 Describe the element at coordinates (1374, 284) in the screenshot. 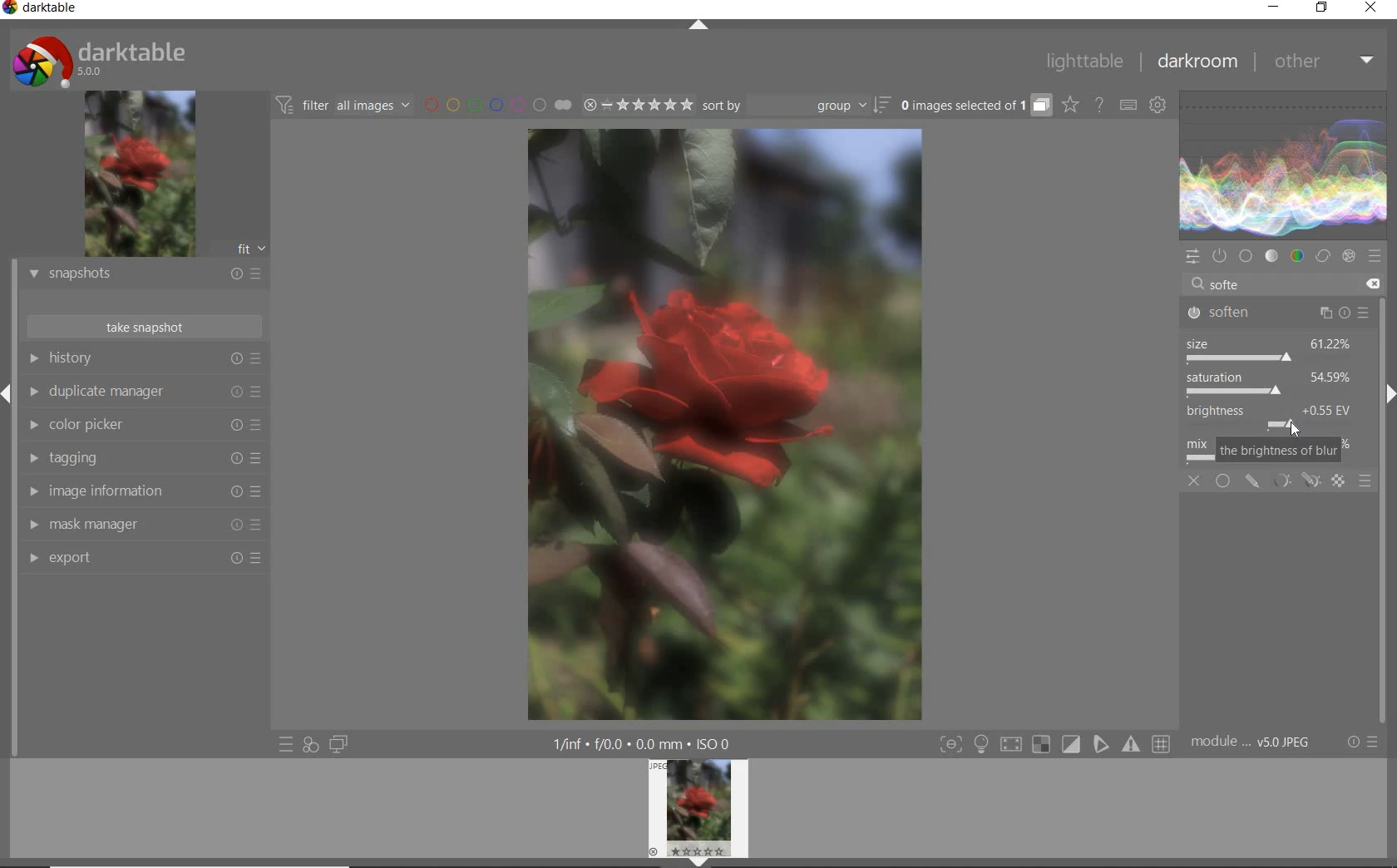

I see `delete` at that location.